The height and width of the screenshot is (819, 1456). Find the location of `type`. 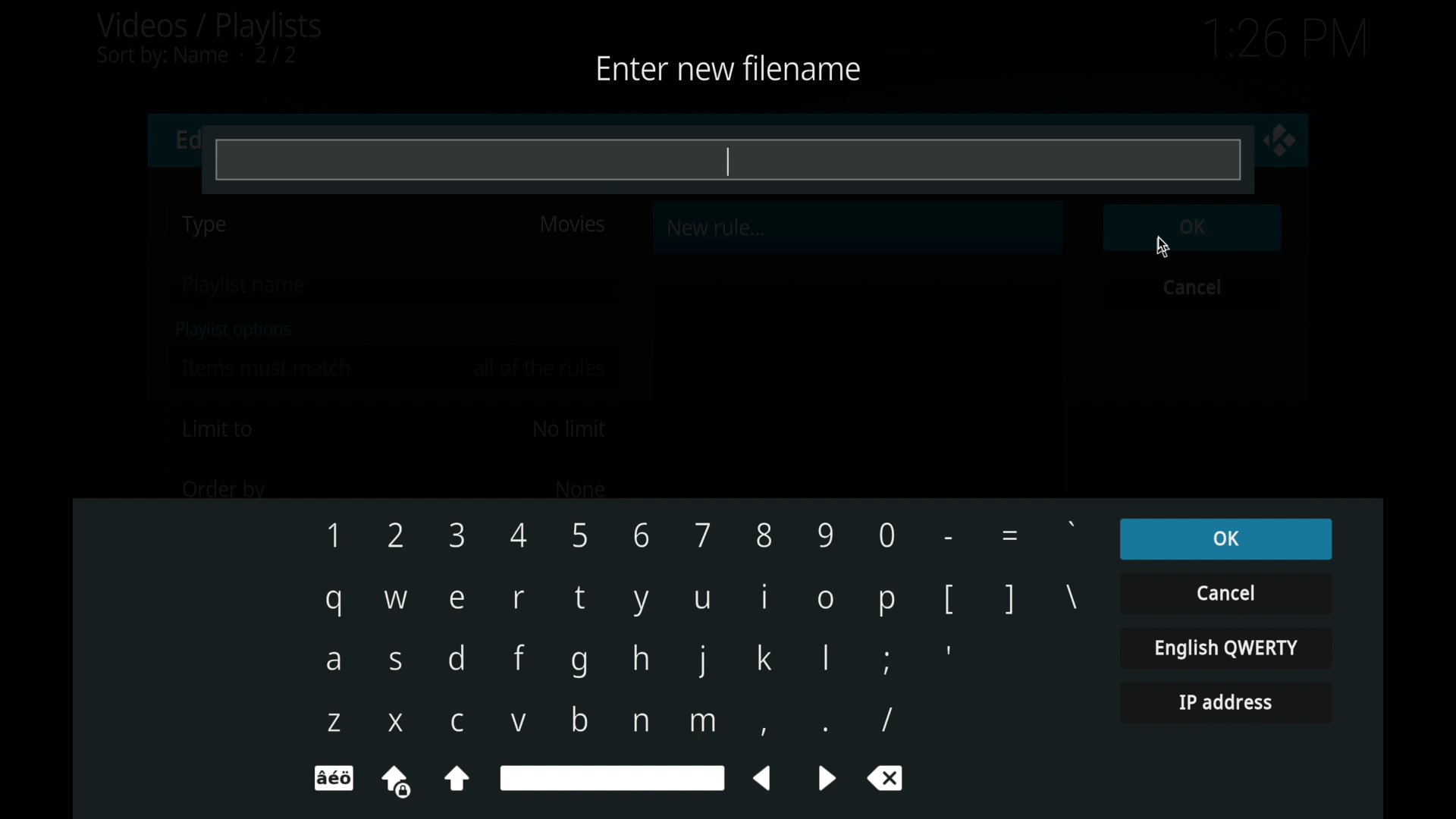

type is located at coordinates (206, 226).